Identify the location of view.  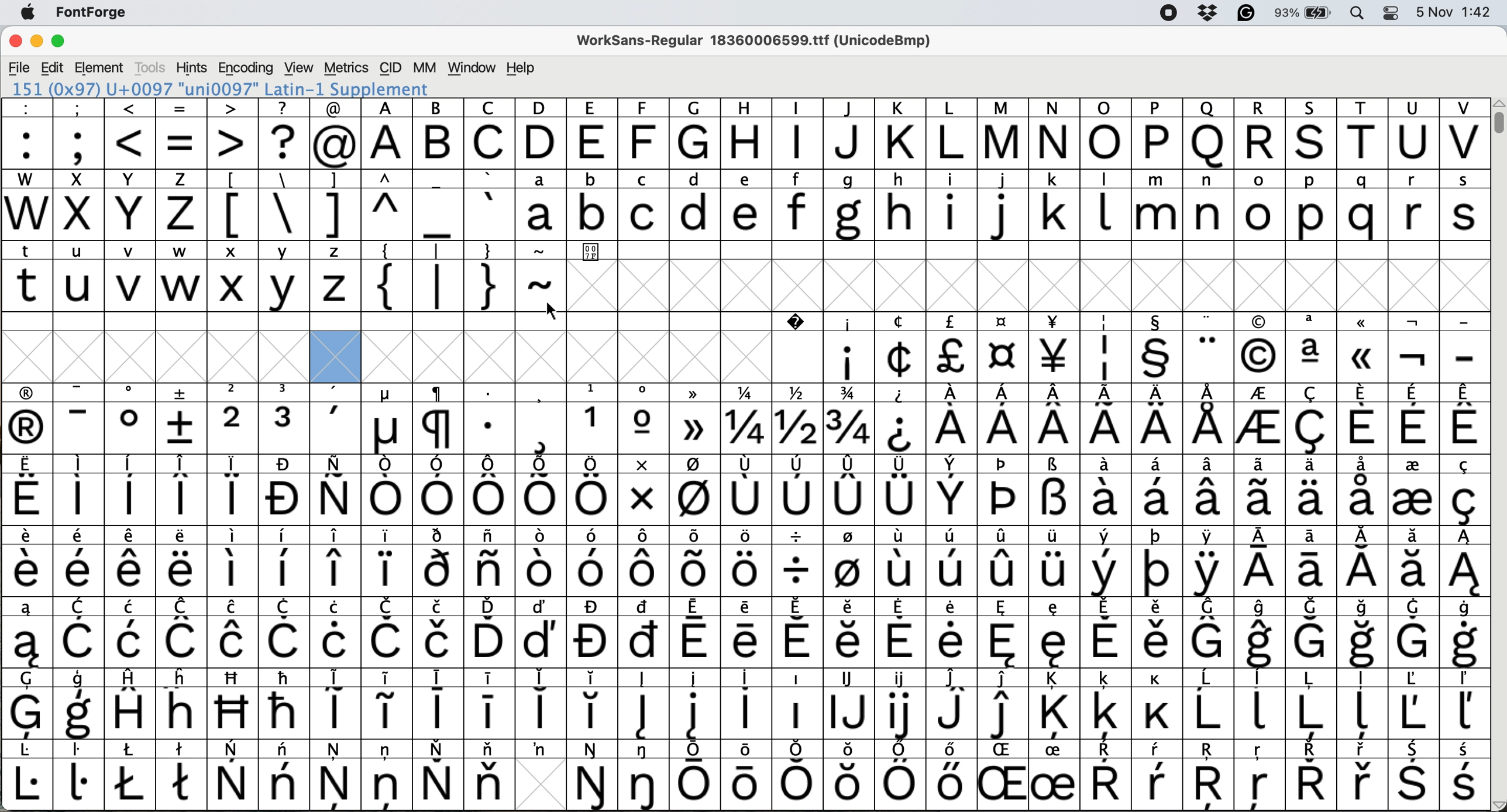
(297, 66).